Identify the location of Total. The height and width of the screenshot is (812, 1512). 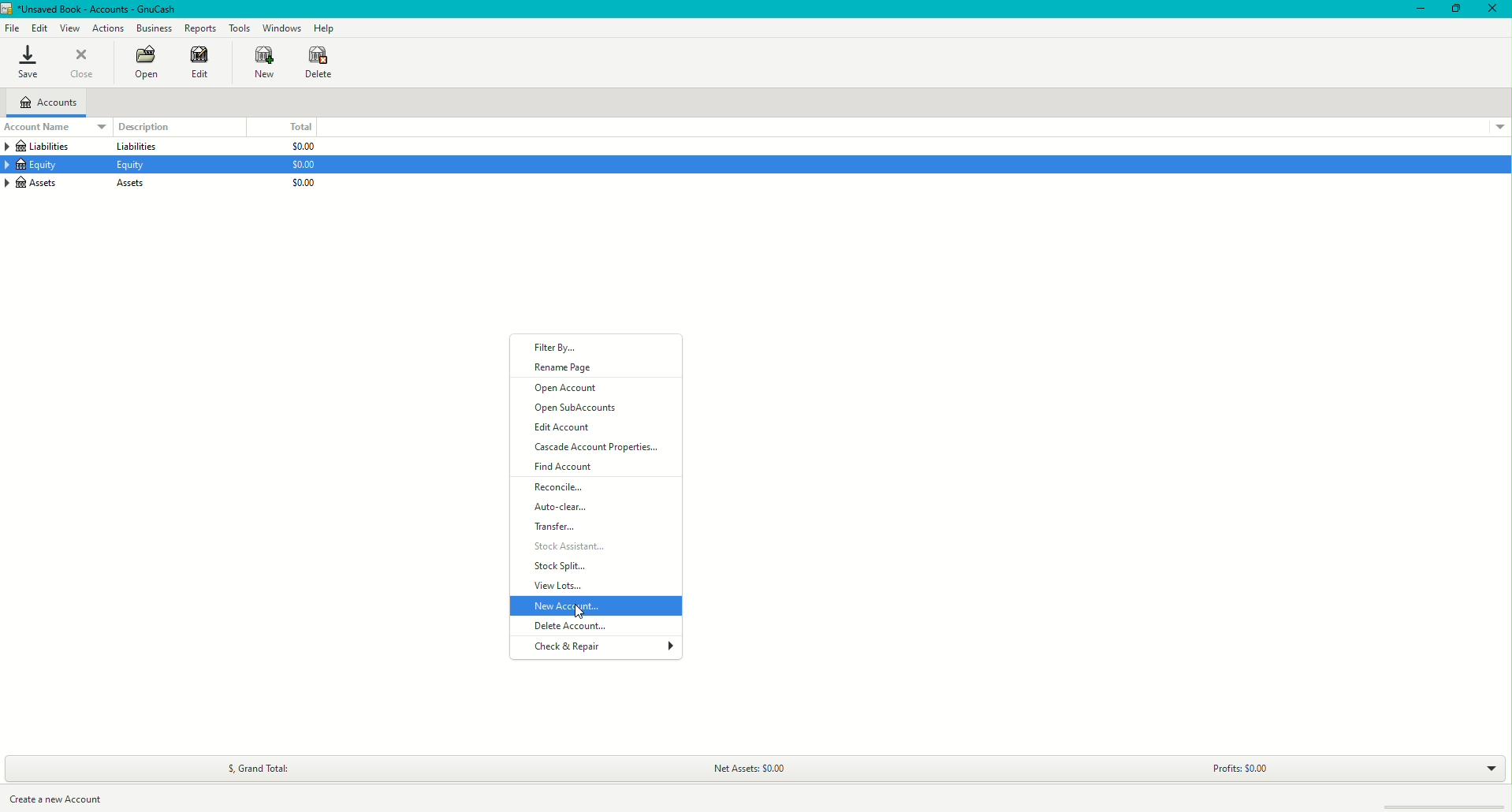
(300, 126).